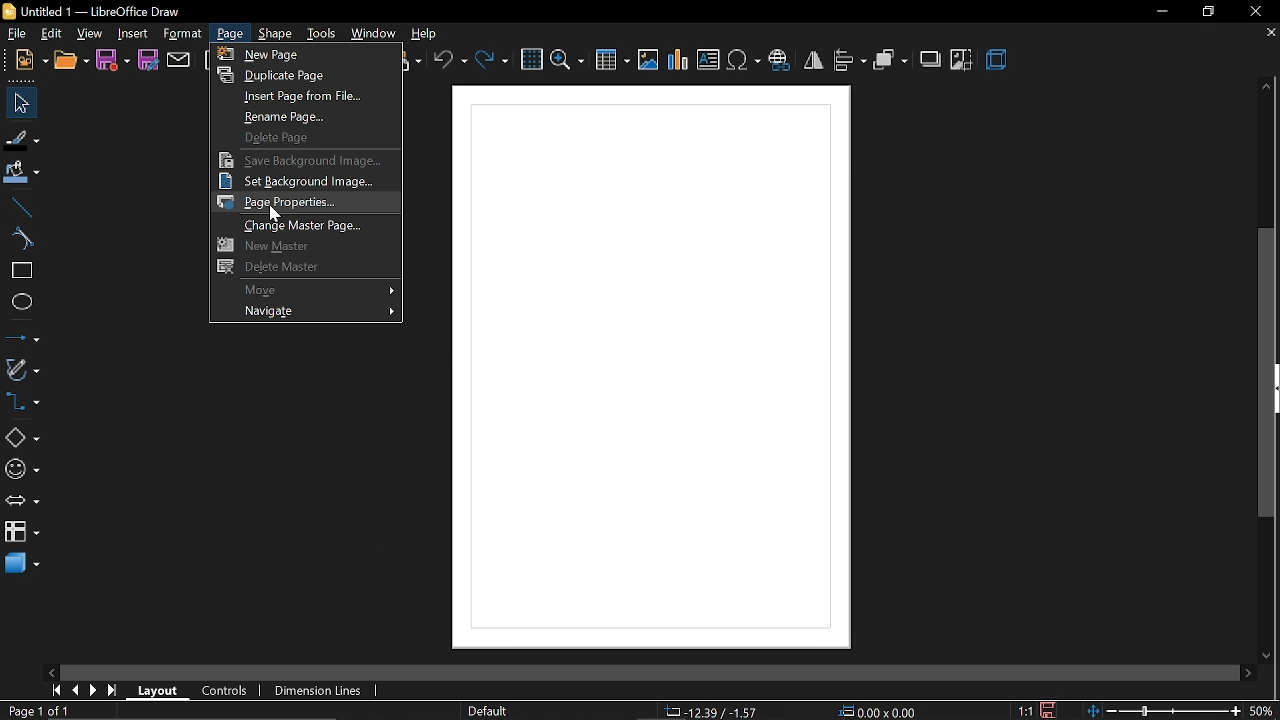 The height and width of the screenshot is (720, 1280). What do you see at coordinates (90, 34) in the screenshot?
I see `view` at bounding box center [90, 34].